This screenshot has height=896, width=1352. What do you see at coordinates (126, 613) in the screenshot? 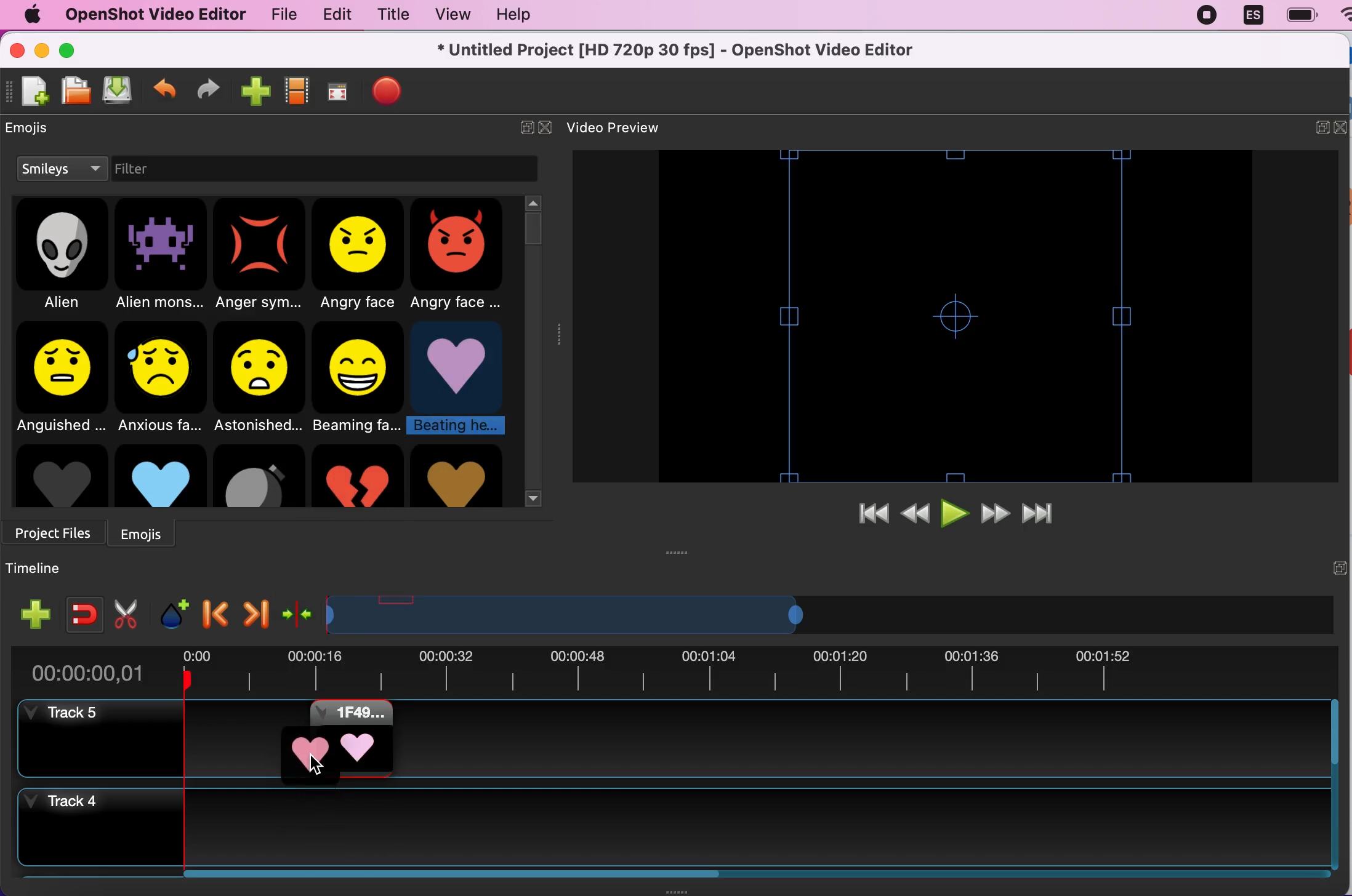
I see `cut` at bounding box center [126, 613].